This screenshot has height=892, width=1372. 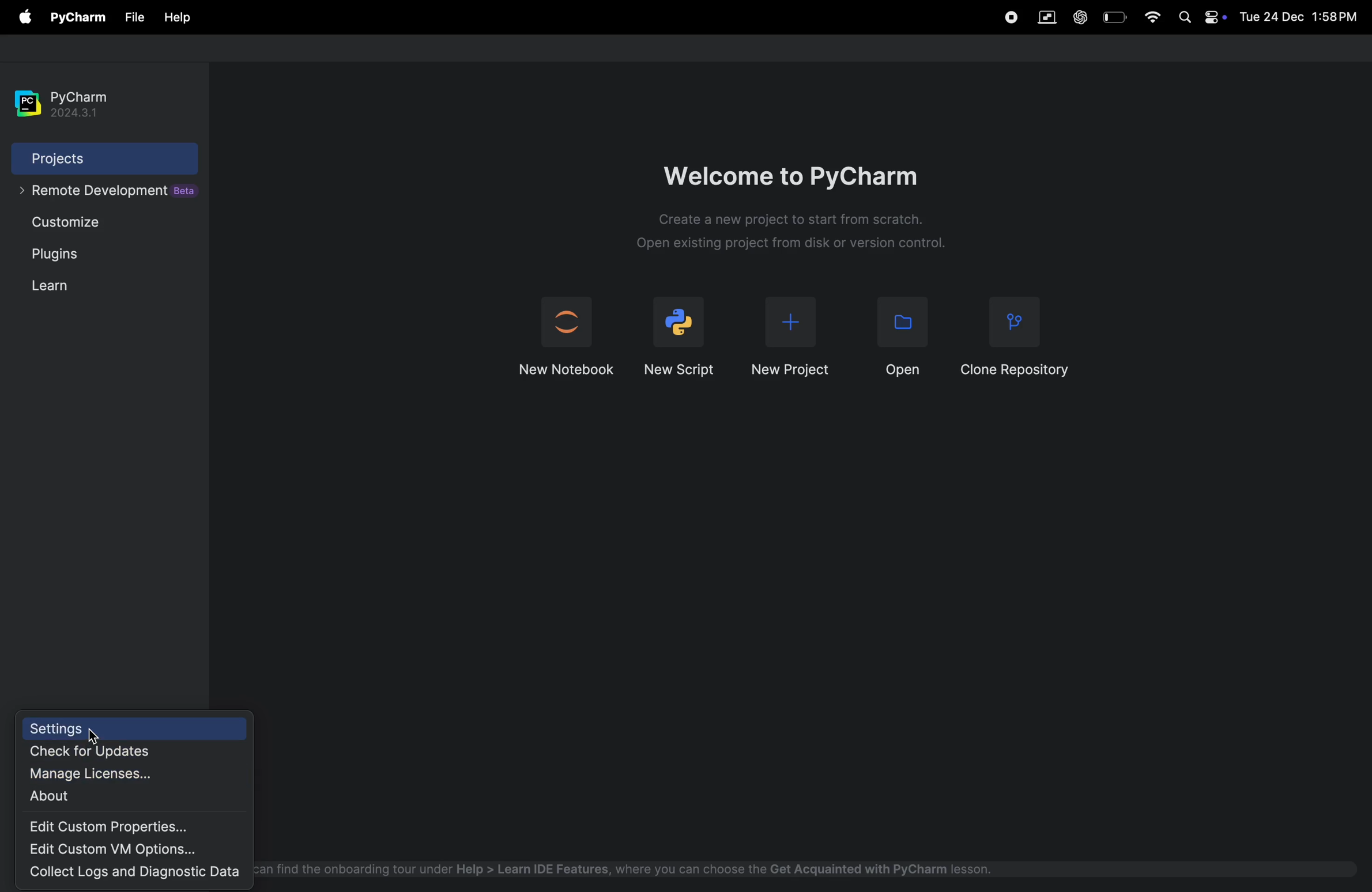 What do you see at coordinates (97, 739) in the screenshot?
I see `cursor` at bounding box center [97, 739].